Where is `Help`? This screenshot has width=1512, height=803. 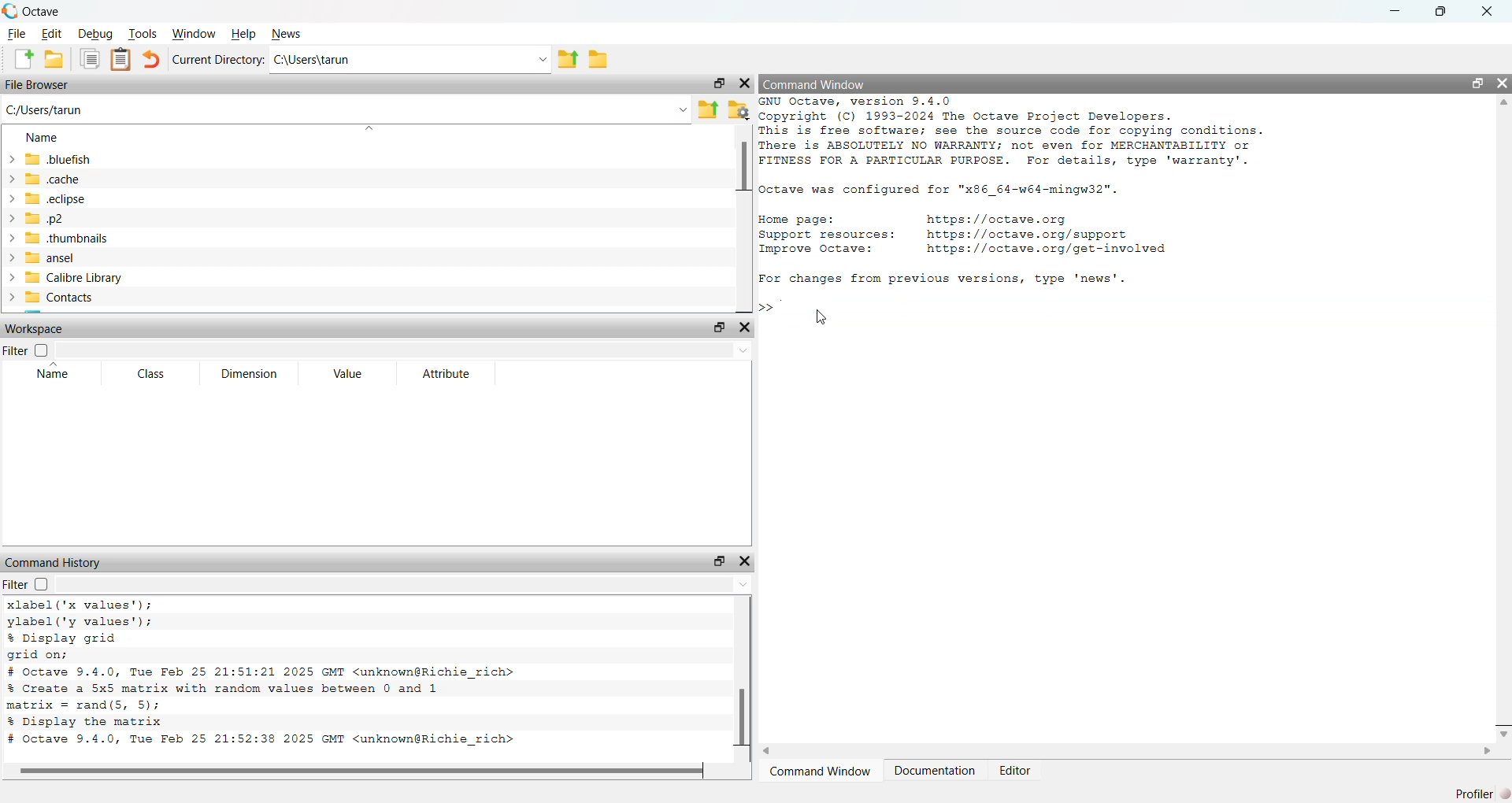 Help is located at coordinates (243, 32).